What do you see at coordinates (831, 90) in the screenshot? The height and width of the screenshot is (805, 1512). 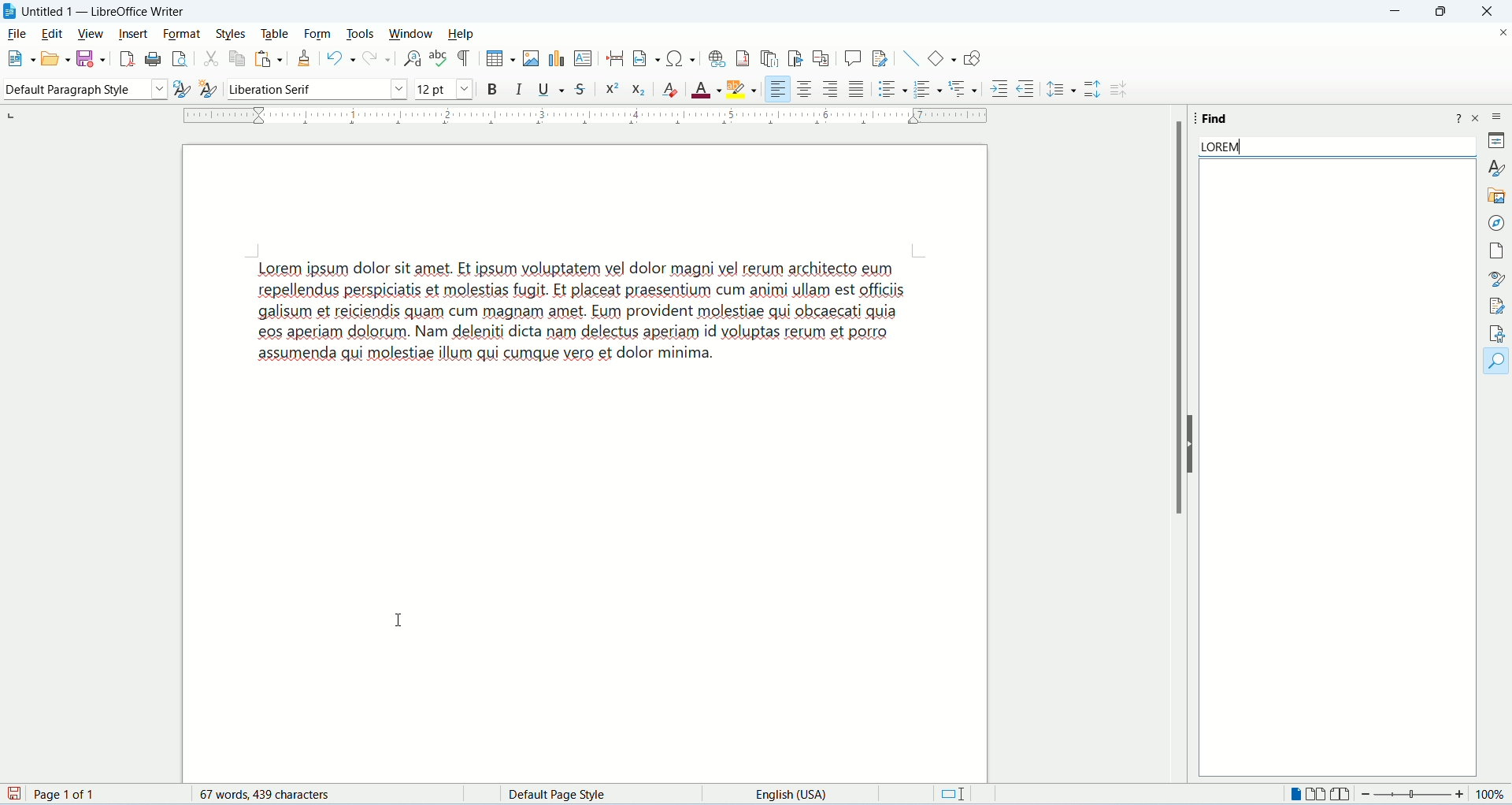 I see `align right` at bounding box center [831, 90].